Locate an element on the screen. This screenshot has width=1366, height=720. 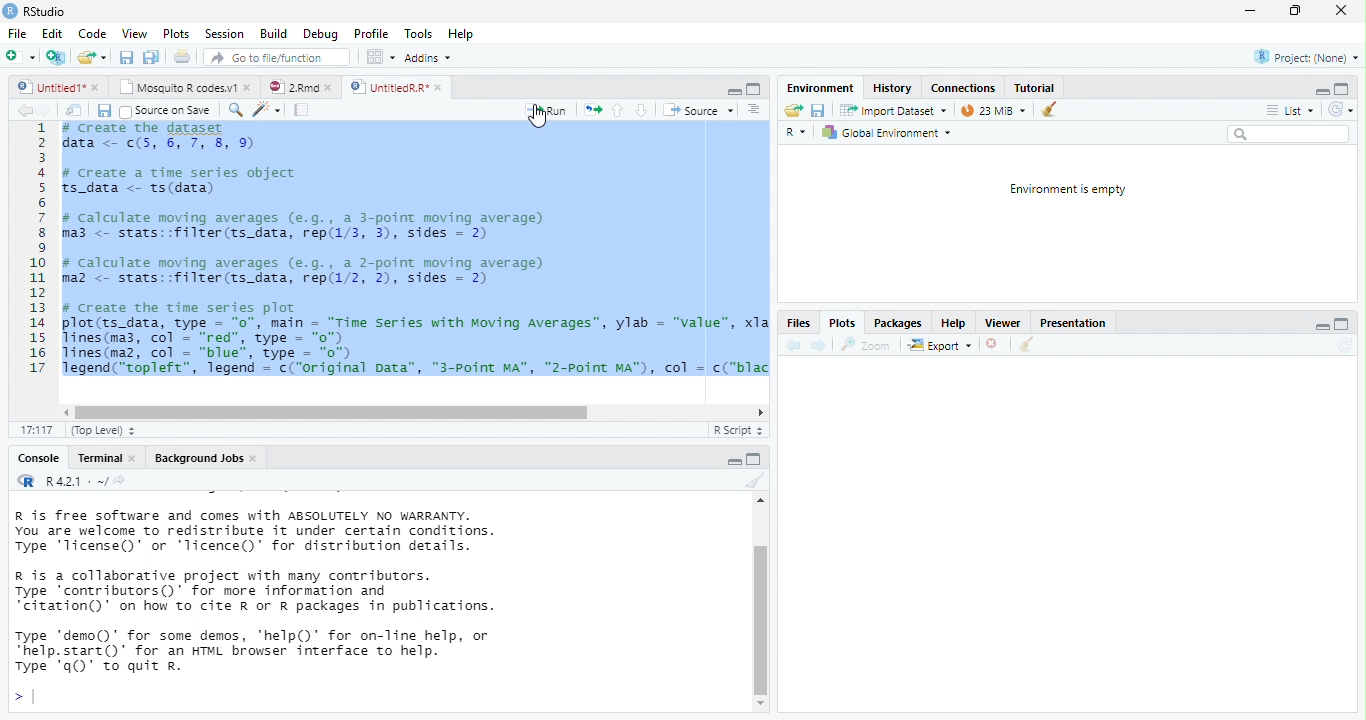
close is located at coordinates (995, 346).